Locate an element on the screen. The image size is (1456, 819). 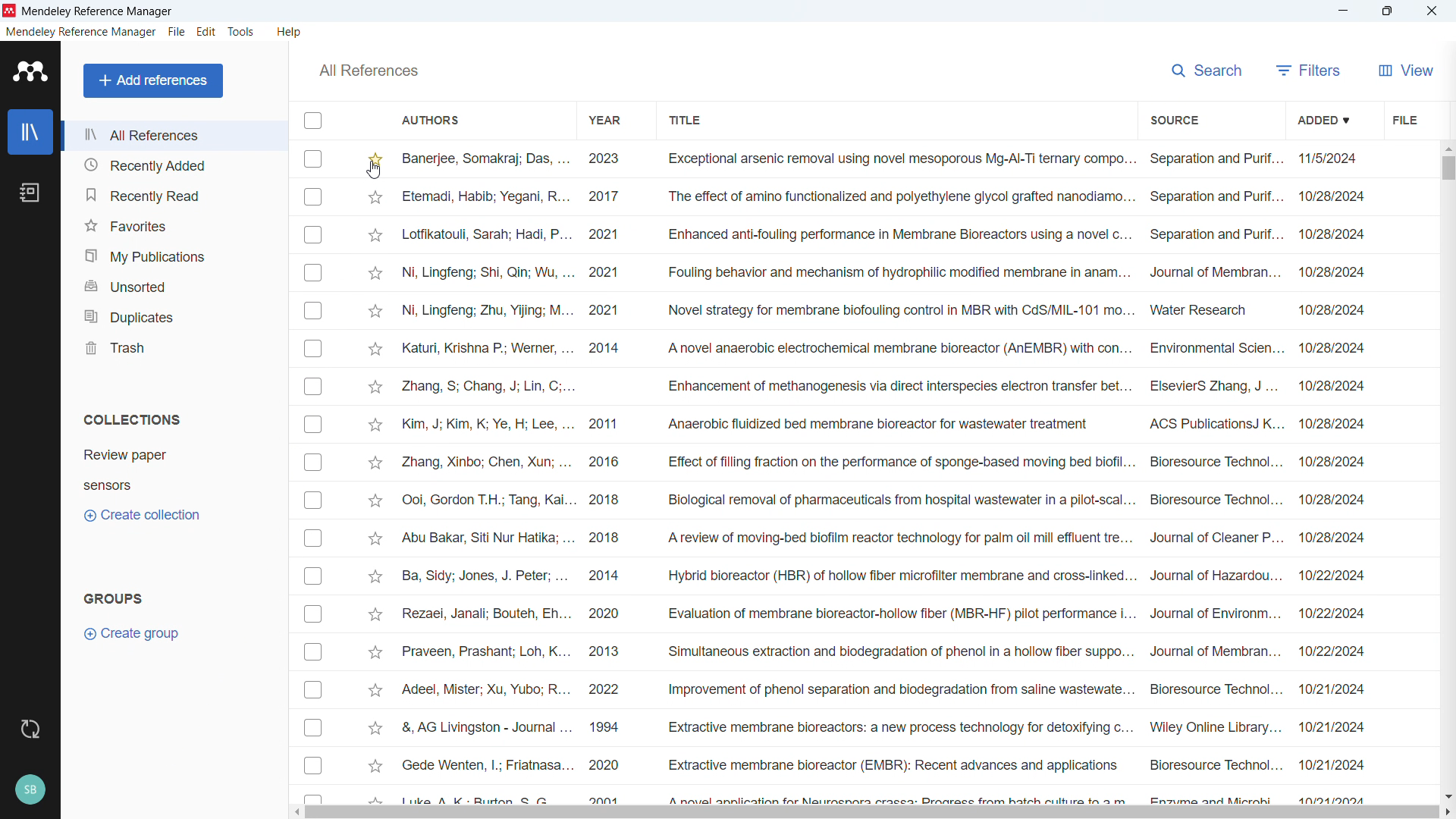
Profile  is located at coordinates (31, 789).